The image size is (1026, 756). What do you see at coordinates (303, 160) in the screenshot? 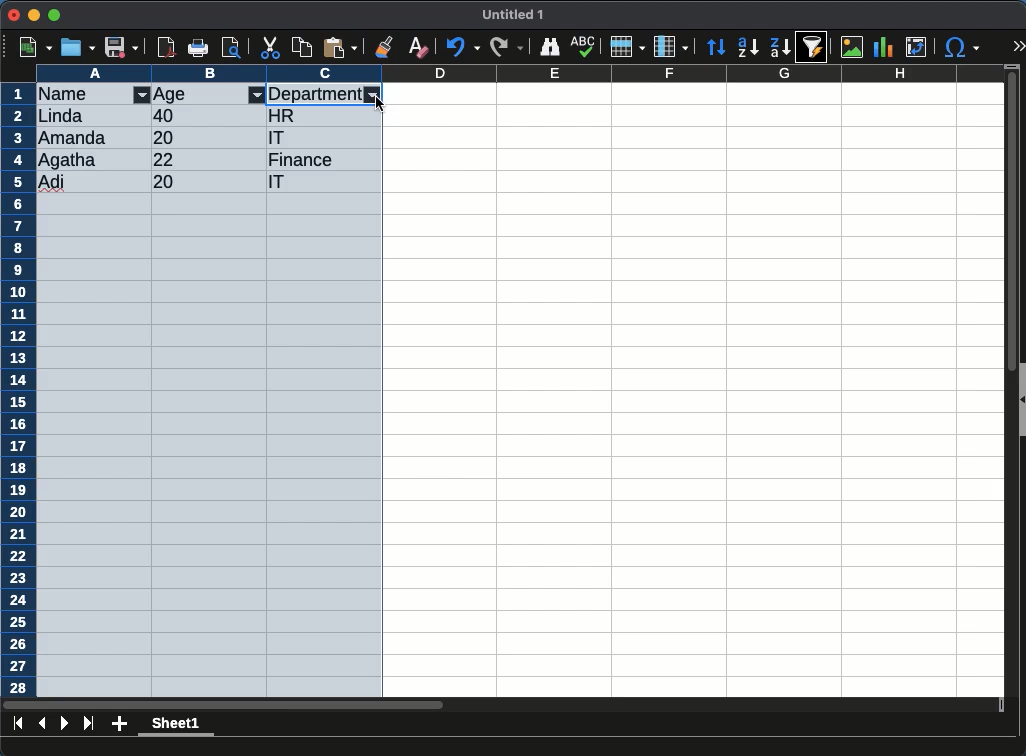
I see `finance ` at bounding box center [303, 160].